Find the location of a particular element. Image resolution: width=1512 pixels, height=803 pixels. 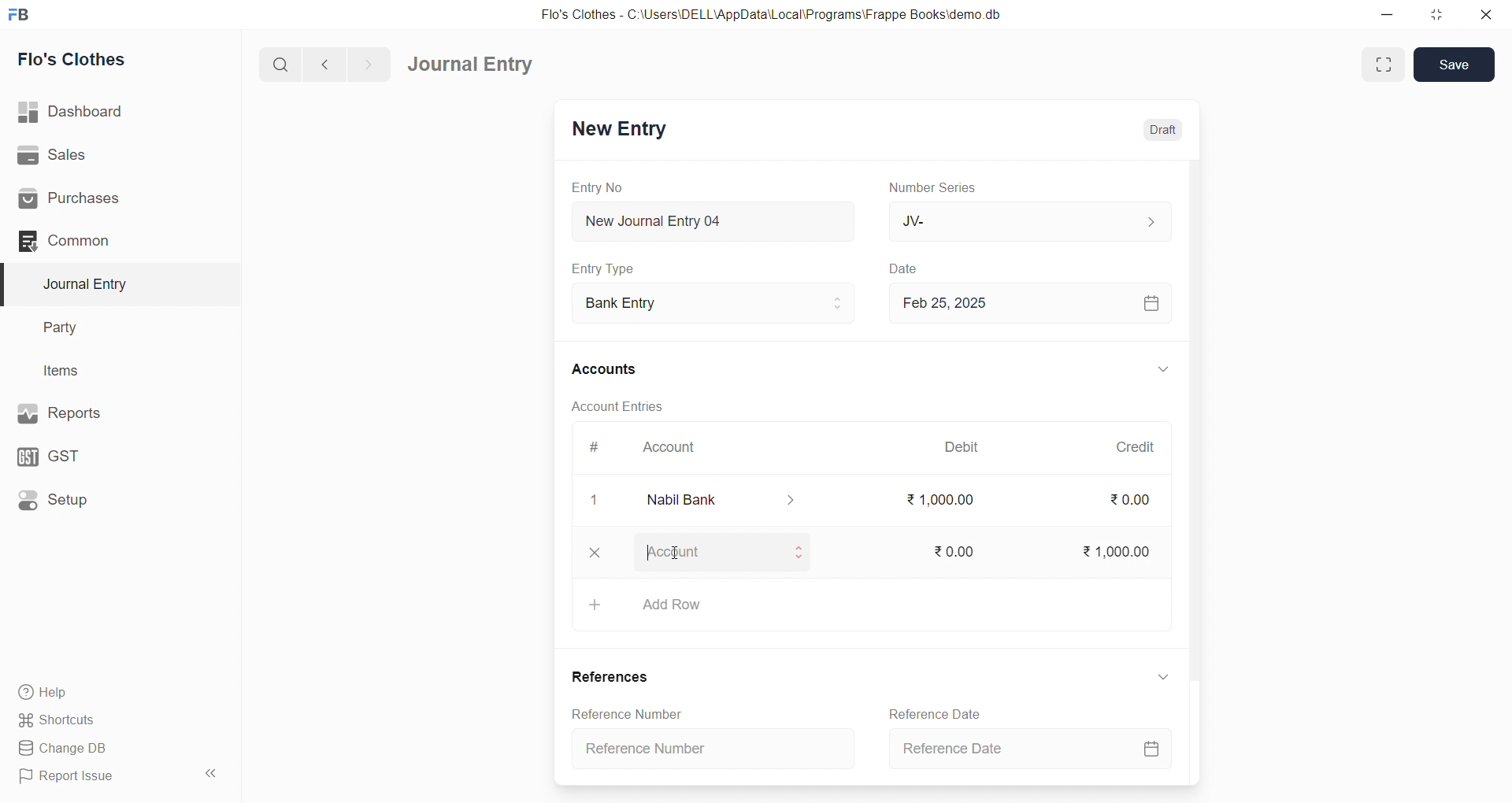

₹ 1000.00 is located at coordinates (941, 499).